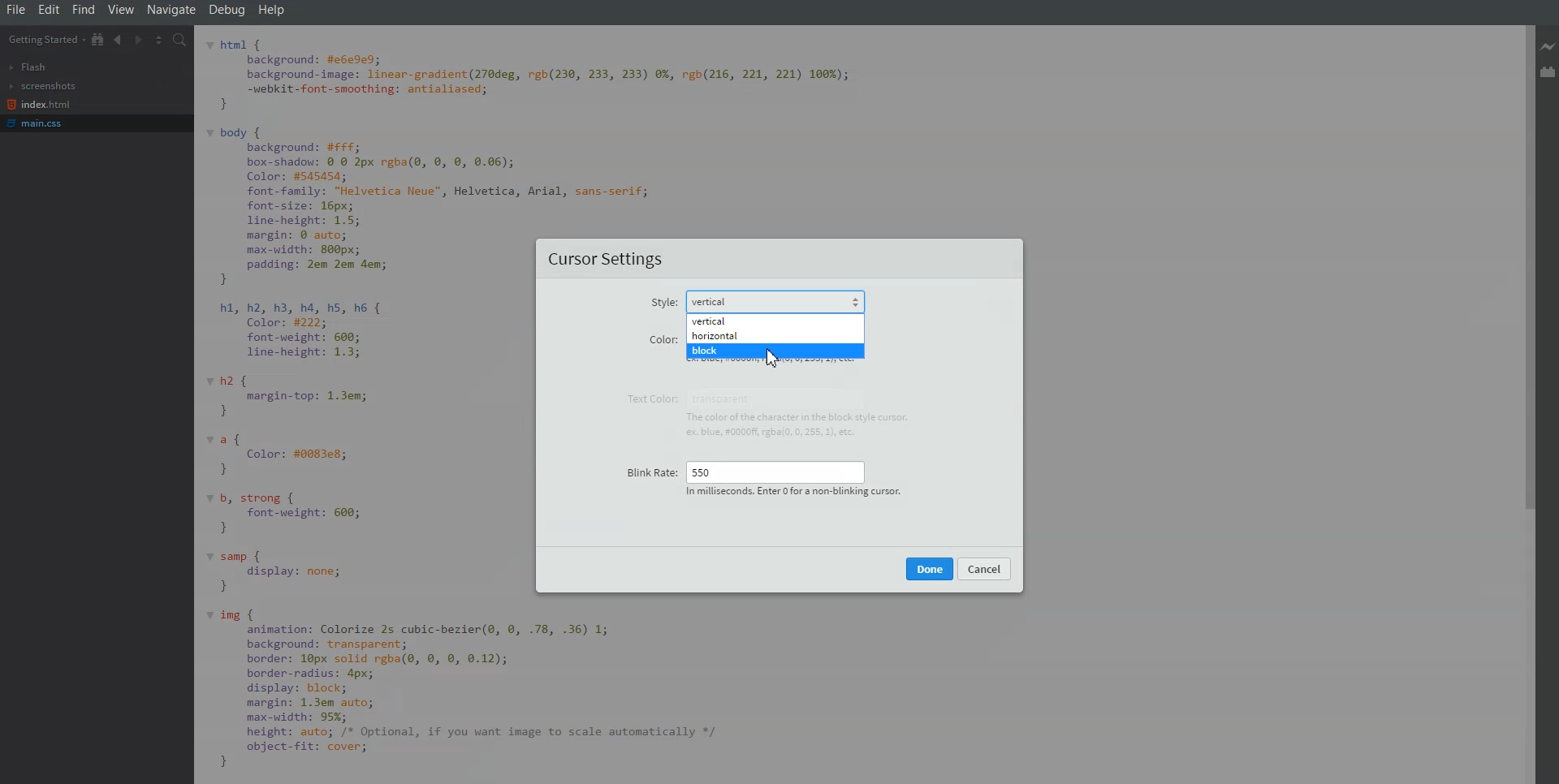 The height and width of the screenshot is (784, 1559). Describe the element at coordinates (39, 105) in the screenshot. I see `index.html` at that location.